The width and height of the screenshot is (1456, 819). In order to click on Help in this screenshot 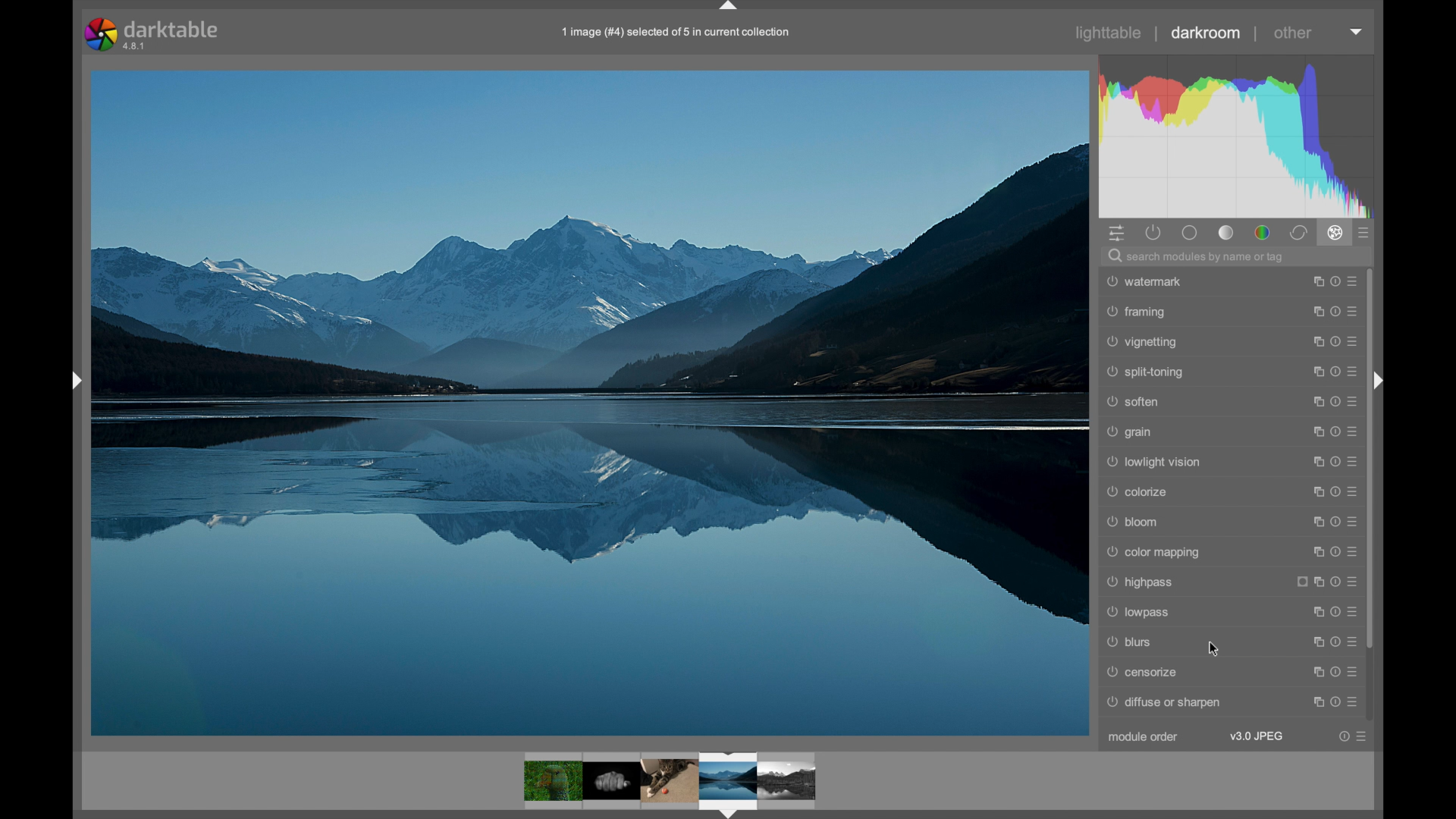, I will do `click(1332, 642)`.